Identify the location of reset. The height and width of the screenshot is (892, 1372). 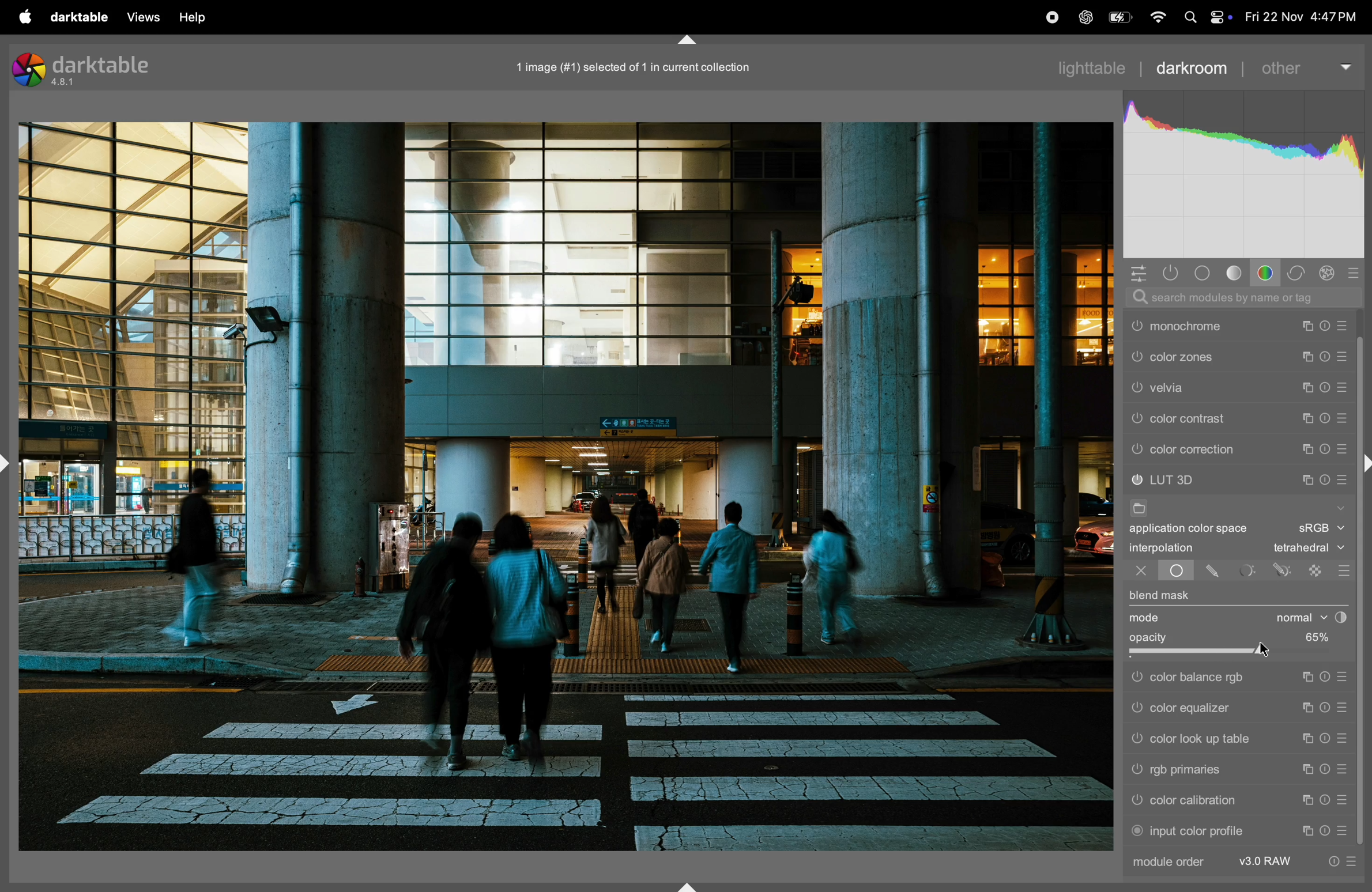
(1326, 415).